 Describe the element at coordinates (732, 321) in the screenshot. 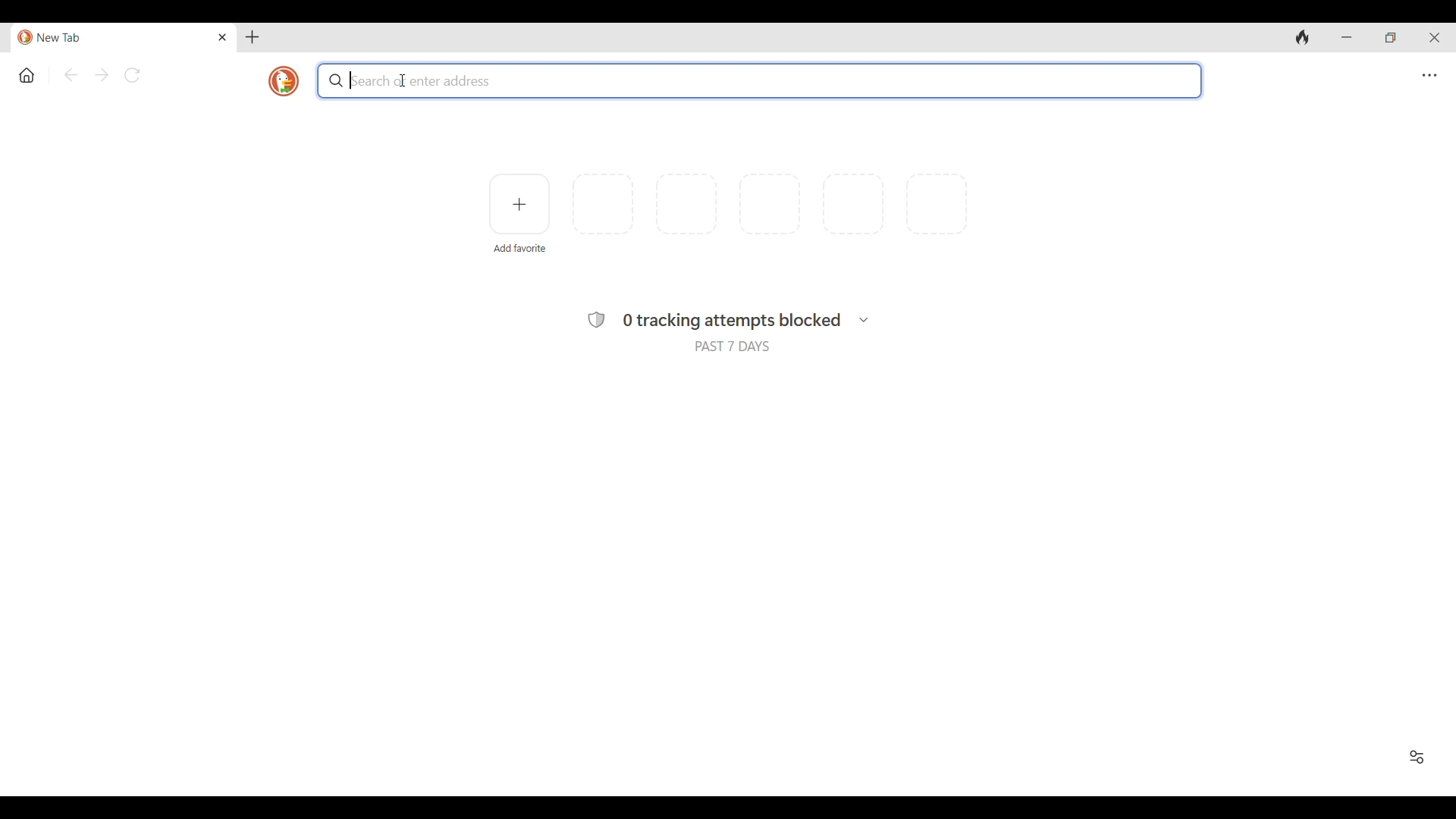

I see `0 tracking attempts blocked` at that location.